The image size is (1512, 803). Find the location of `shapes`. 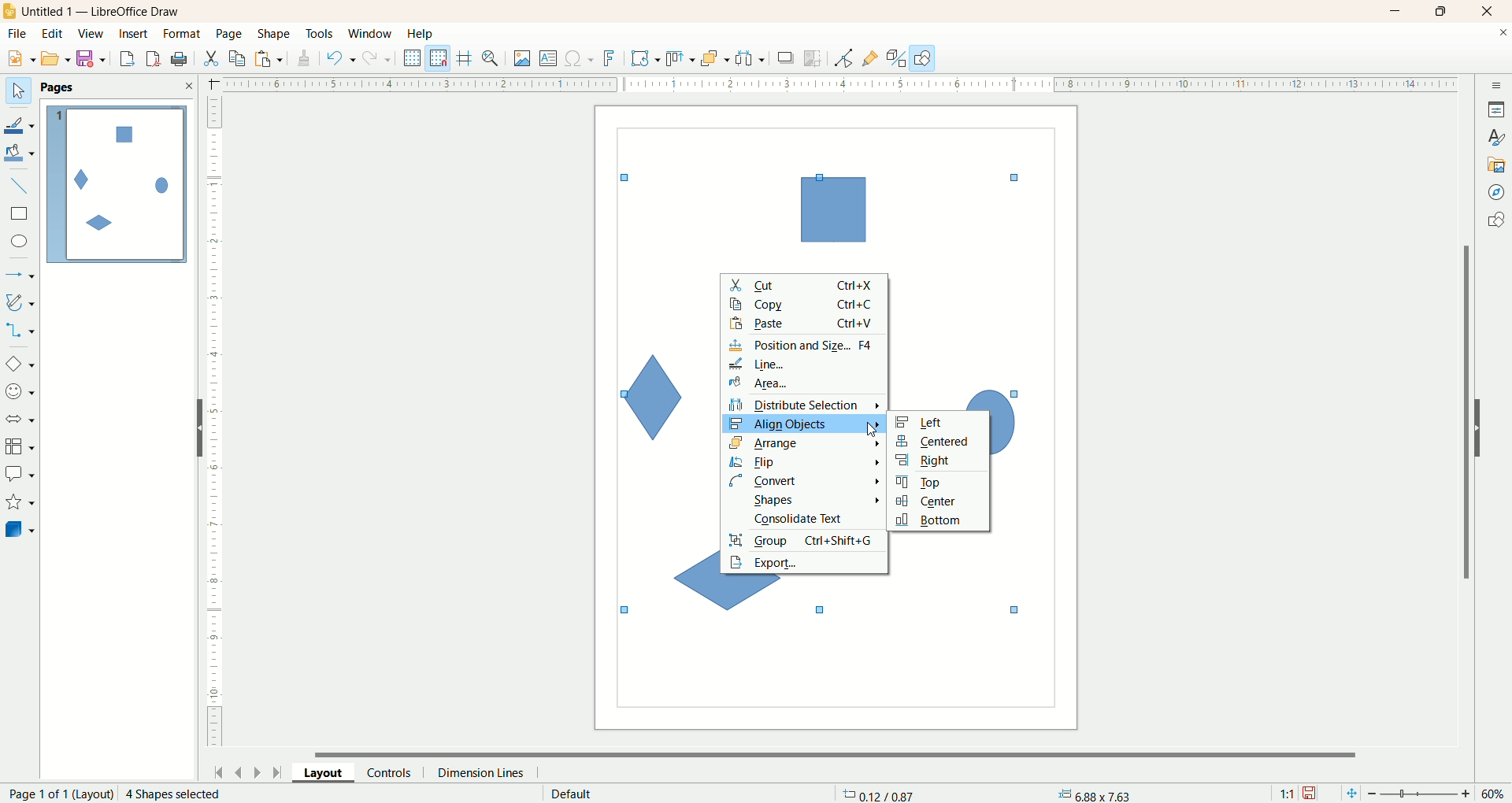

shapes is located at coordinates (806, 498).